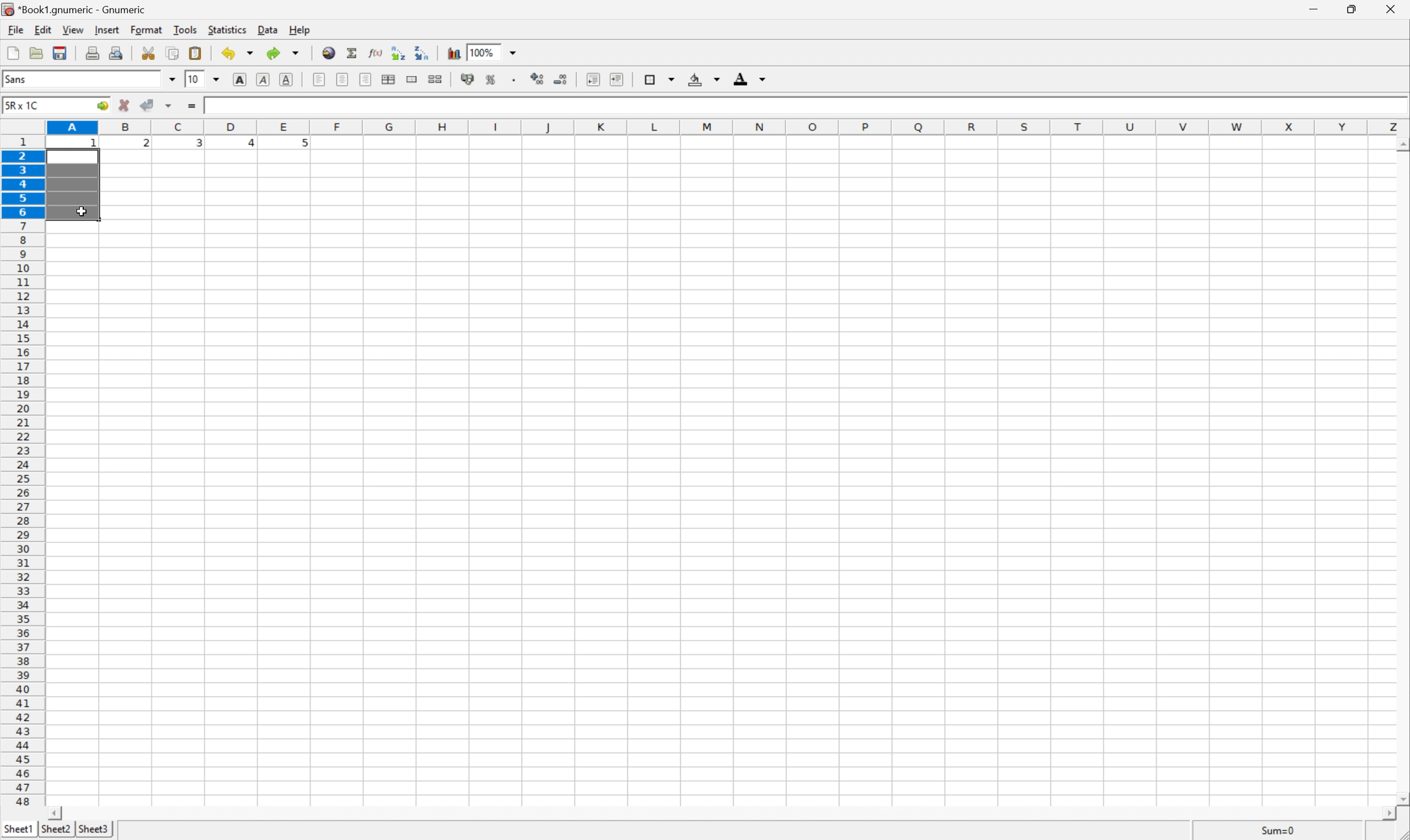  Describe the element at coordinates (60, 53) in the screenshot. I see `save current workbook` at that location.